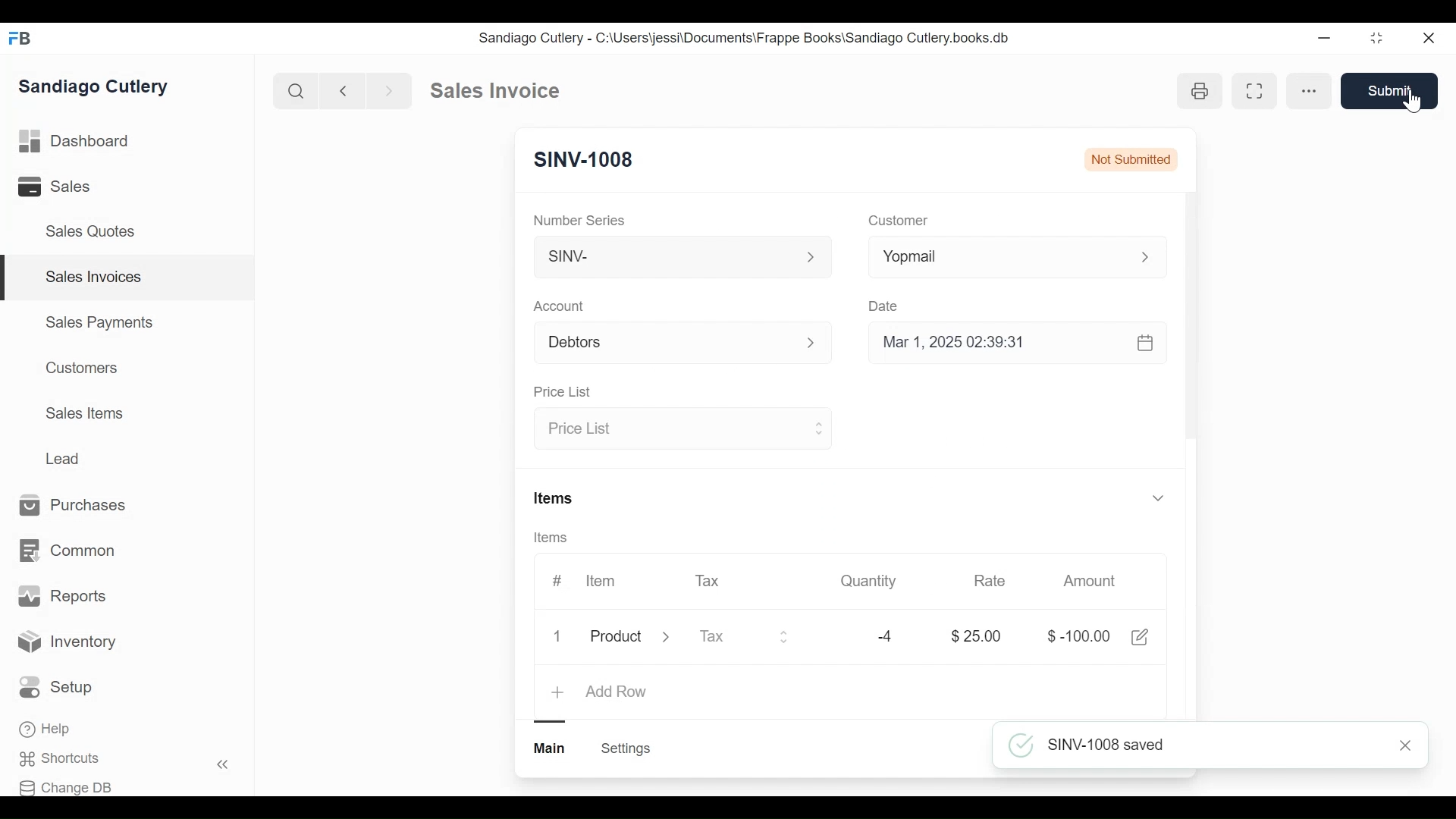 Image resolution: width=1456 pixels, height=819 pixels. Describe the element at coordinates (557, 579) in the screenshot. I see `#` at that location.